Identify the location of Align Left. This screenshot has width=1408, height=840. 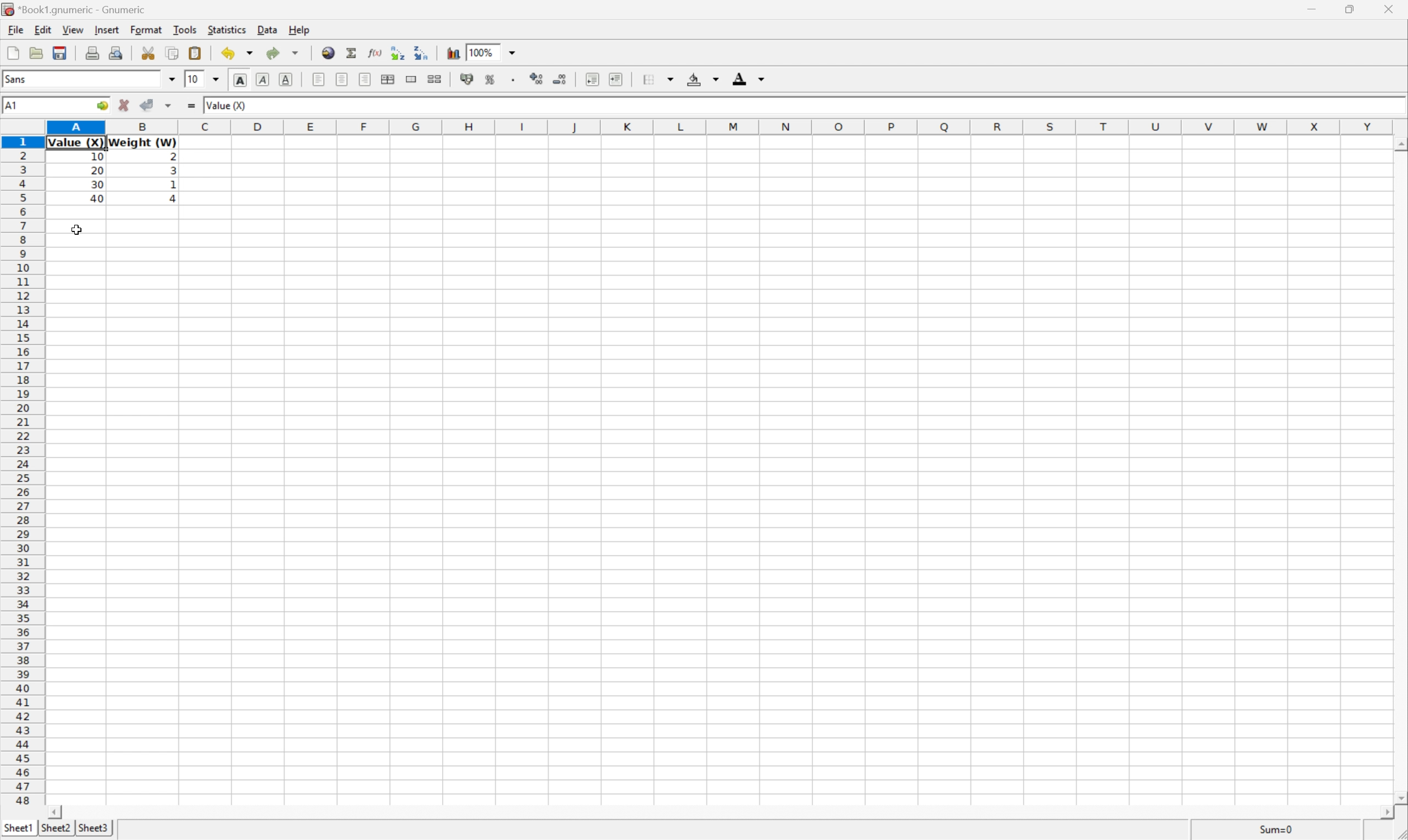
(319, 79).